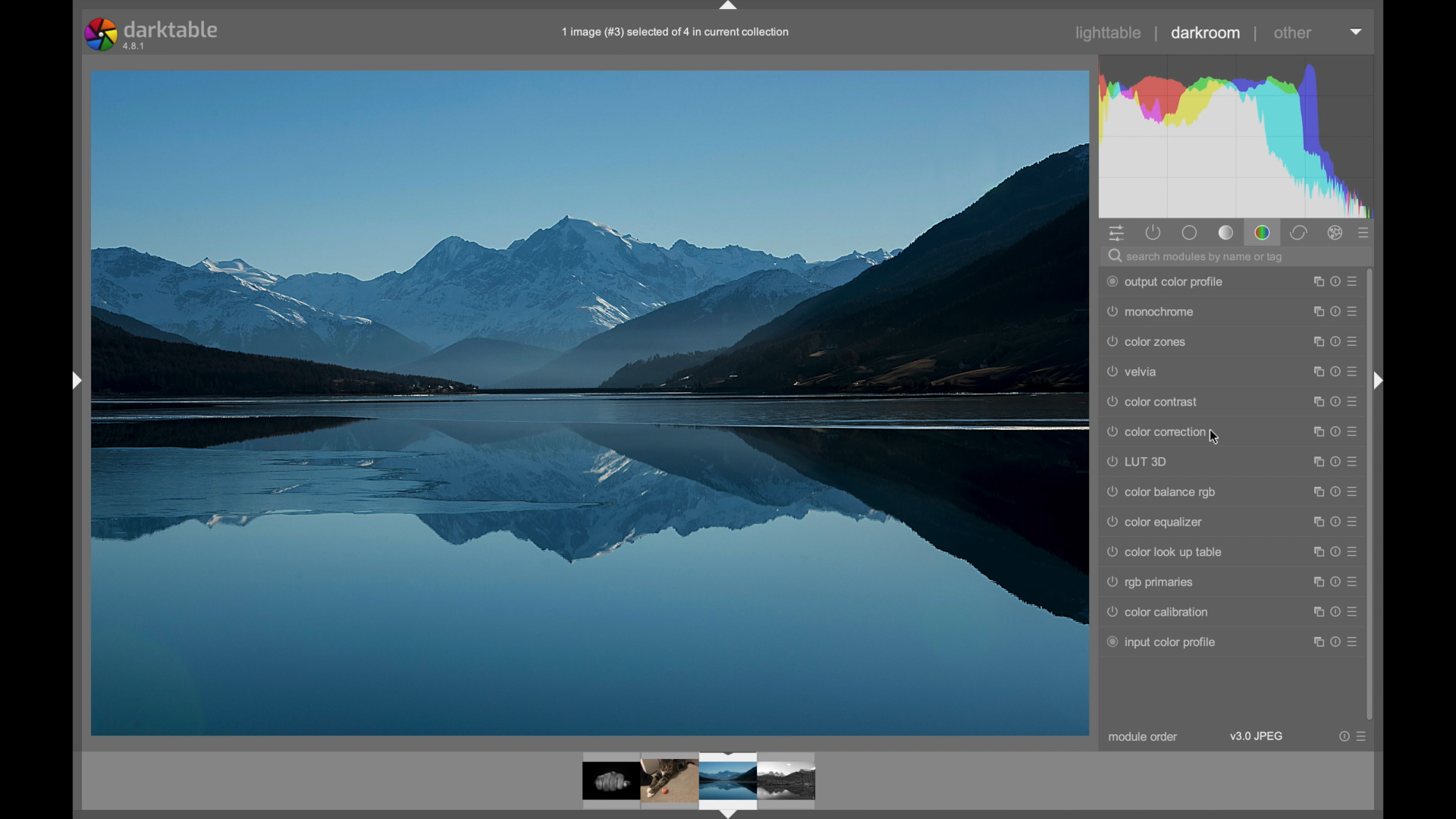  Describe the element at coordinates (1168, 281) in the screenshot. I see `output color profile` at that location.